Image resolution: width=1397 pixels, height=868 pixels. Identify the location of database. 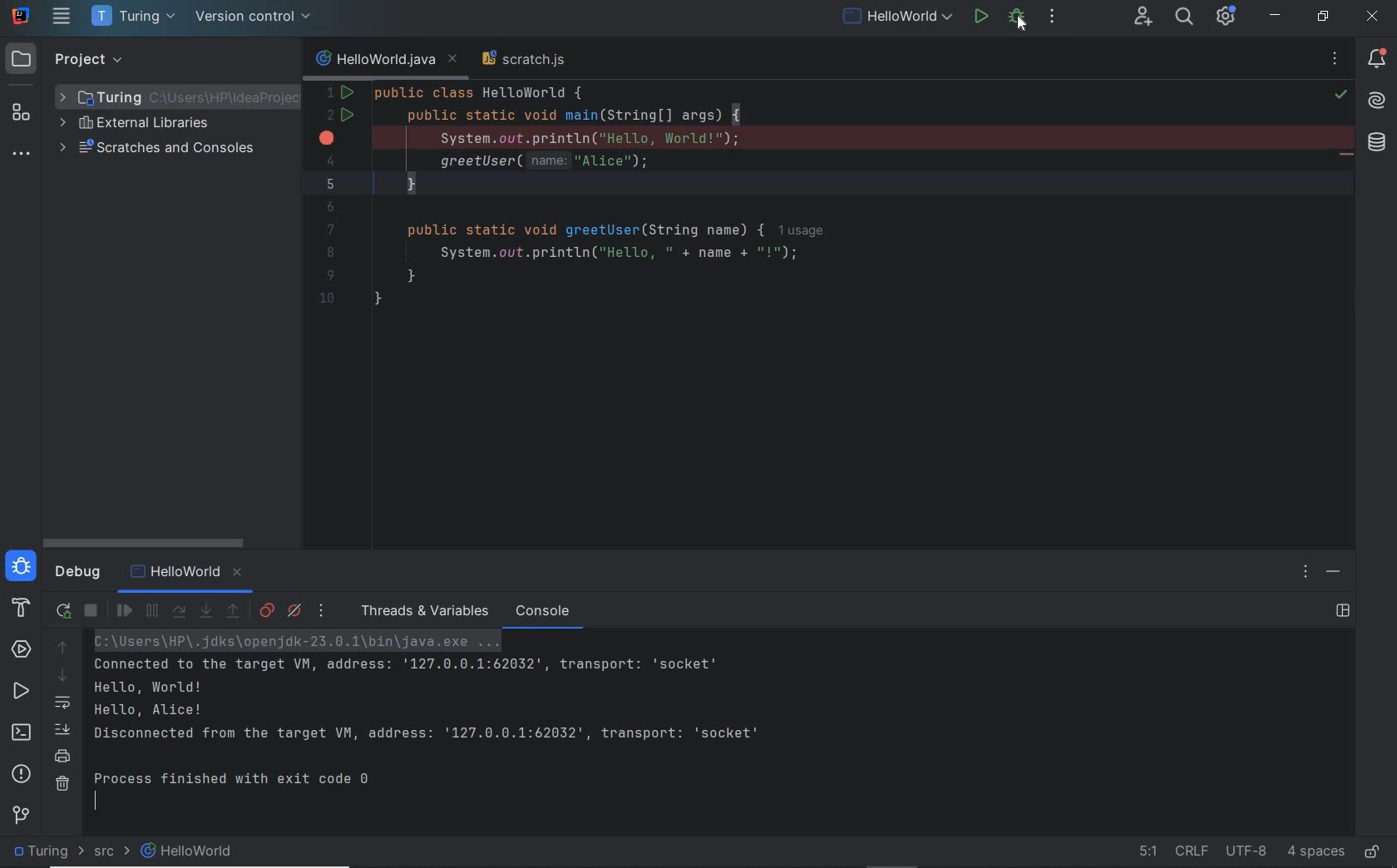
(1375, 145).